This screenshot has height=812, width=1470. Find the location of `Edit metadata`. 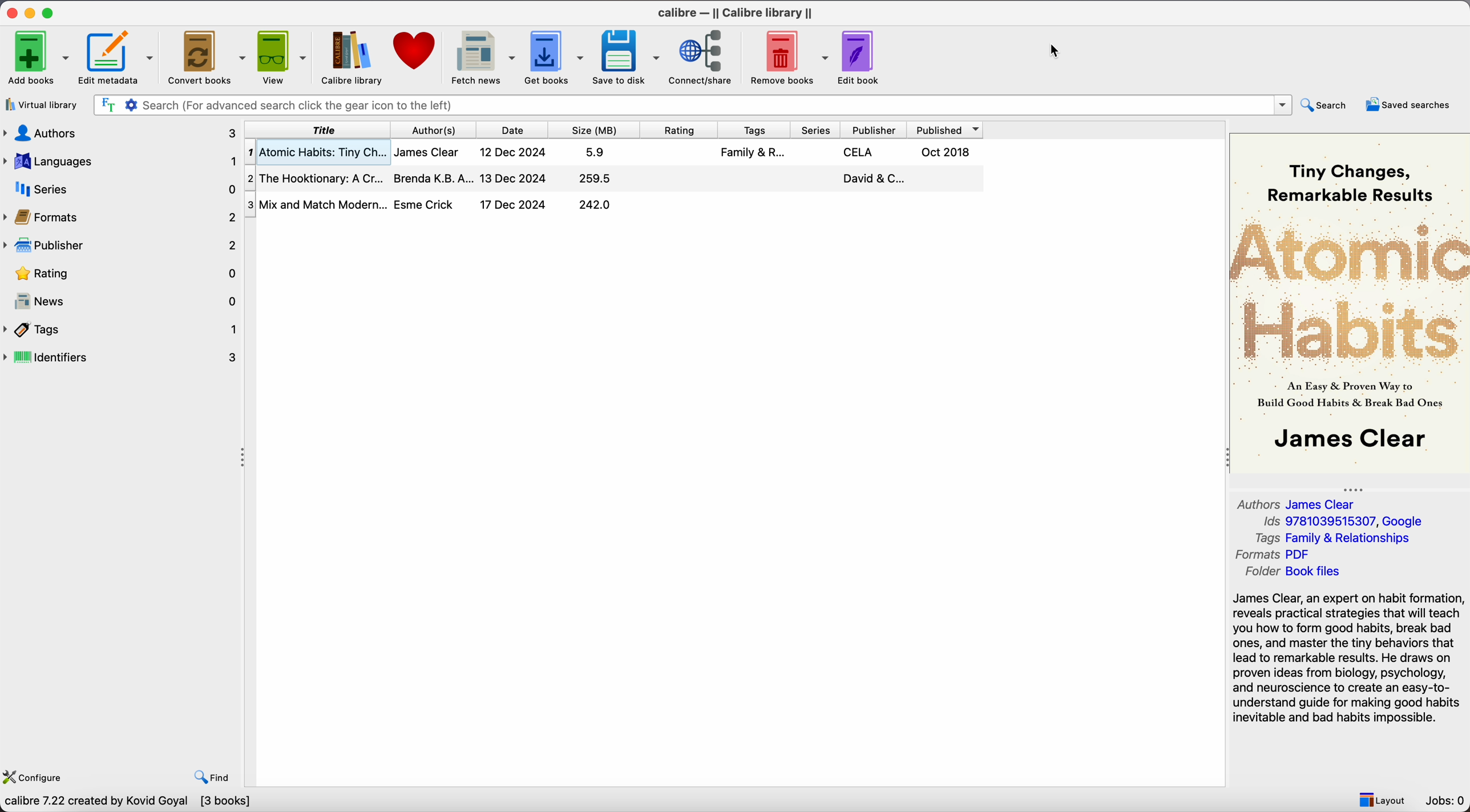

Edit metadata is located at coordinates (118, 57).